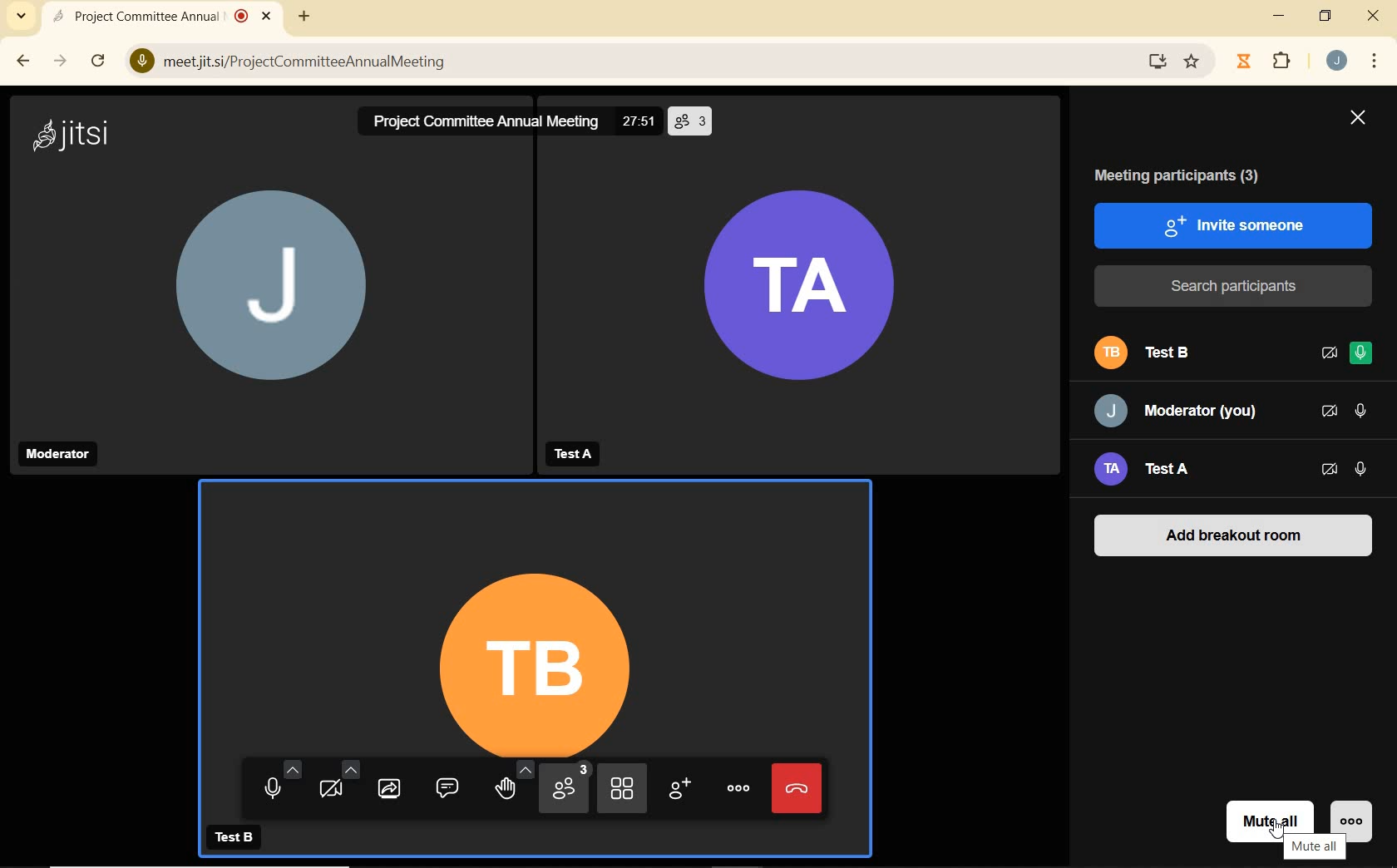 Image resolution: width=1397 pixels, height=868 pixels. Describe the element at coordinates (56, 453) in the screenshot. I see `Moderator` at that location.